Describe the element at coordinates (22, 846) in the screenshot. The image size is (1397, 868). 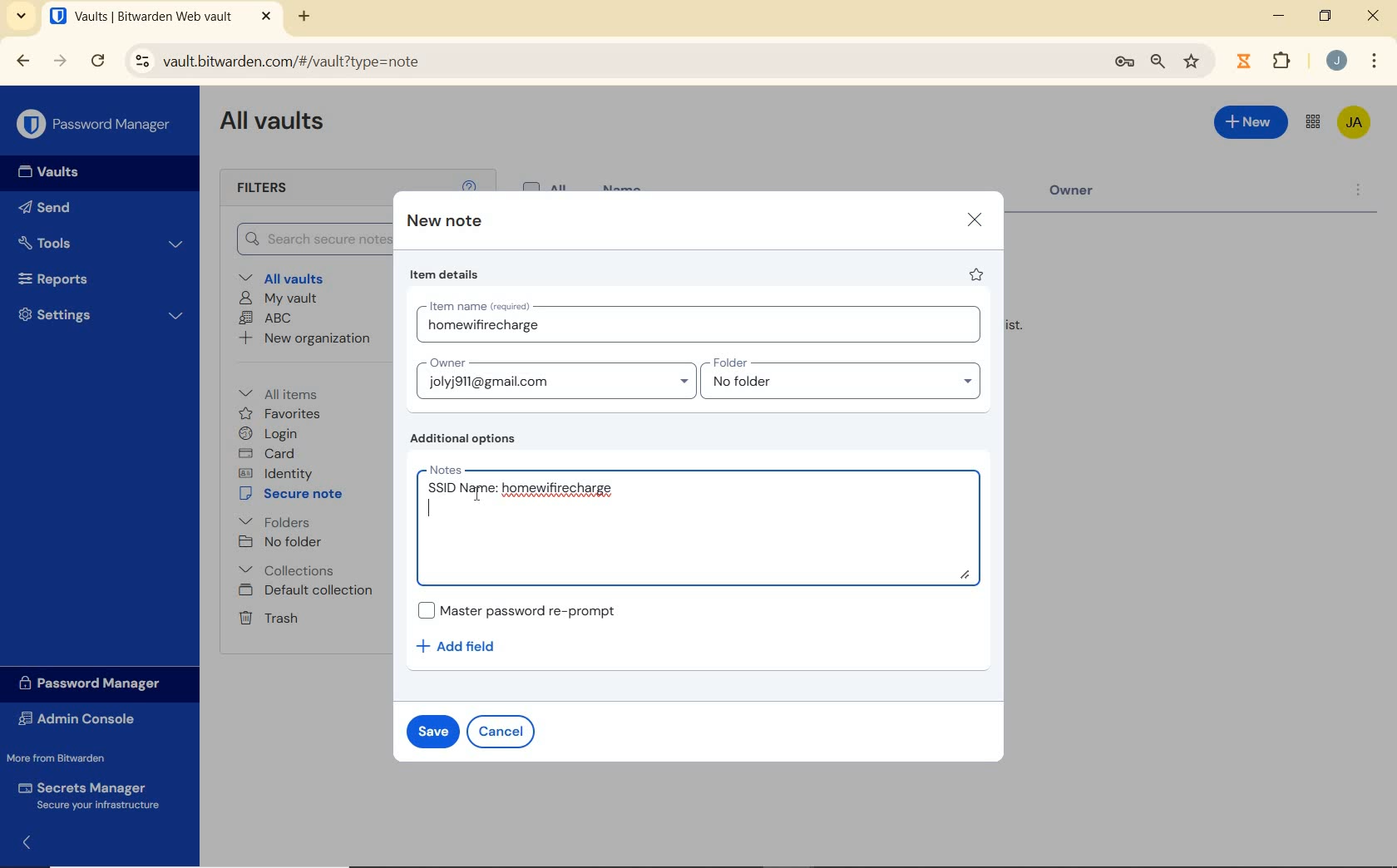
I see `expand/collapse` at that location.